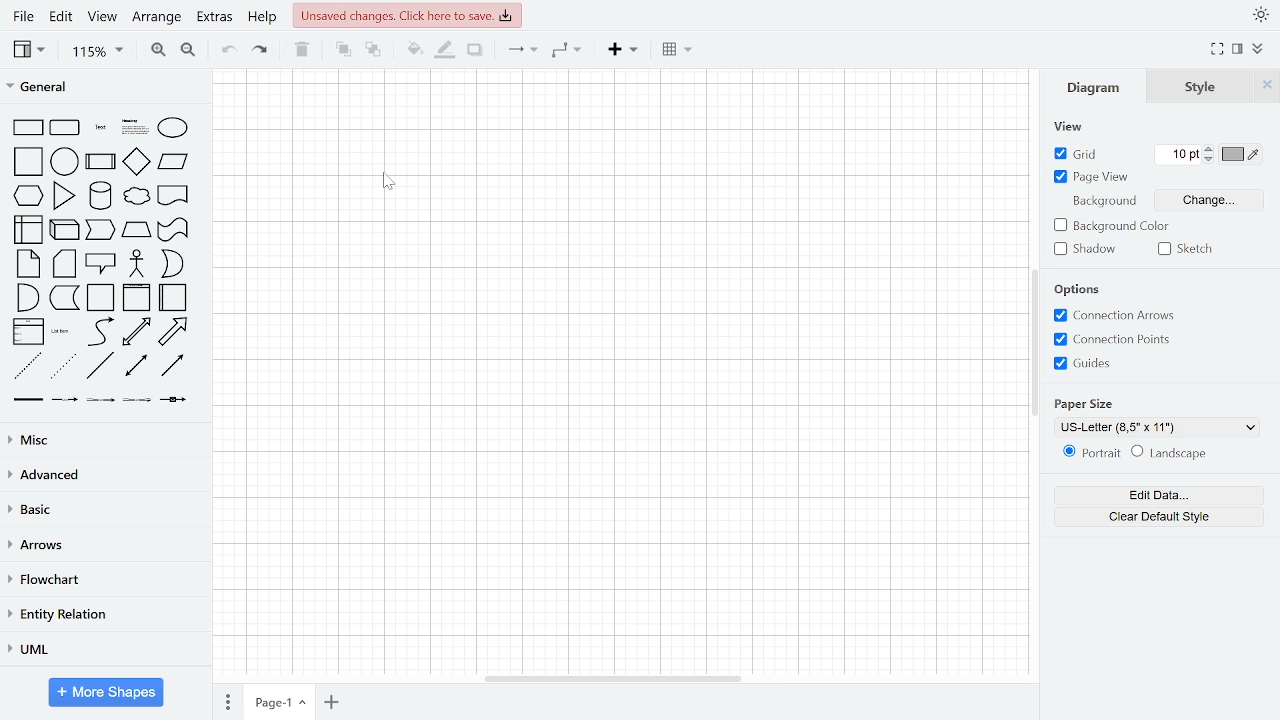  What do you see at coordinates (1158, 427) in the screenshot?
I see `US -Letter (8.5''x11'')` at bounding box center [1158, 427].